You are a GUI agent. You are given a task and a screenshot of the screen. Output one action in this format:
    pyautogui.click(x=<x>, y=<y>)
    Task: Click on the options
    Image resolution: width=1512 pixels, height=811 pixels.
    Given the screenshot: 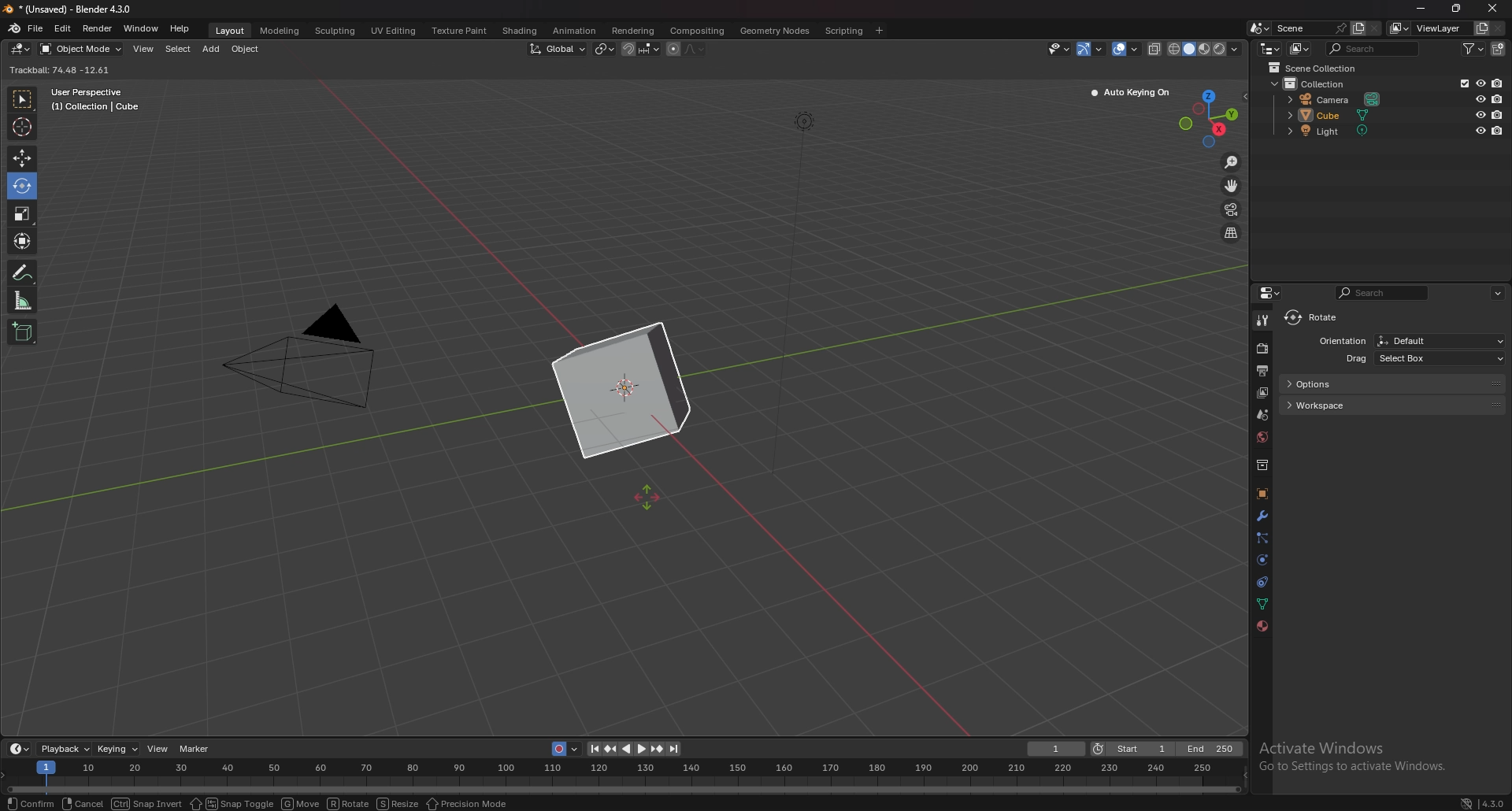 What is the action you would take?
    pyautogui.click(x=1392, y=383)
    